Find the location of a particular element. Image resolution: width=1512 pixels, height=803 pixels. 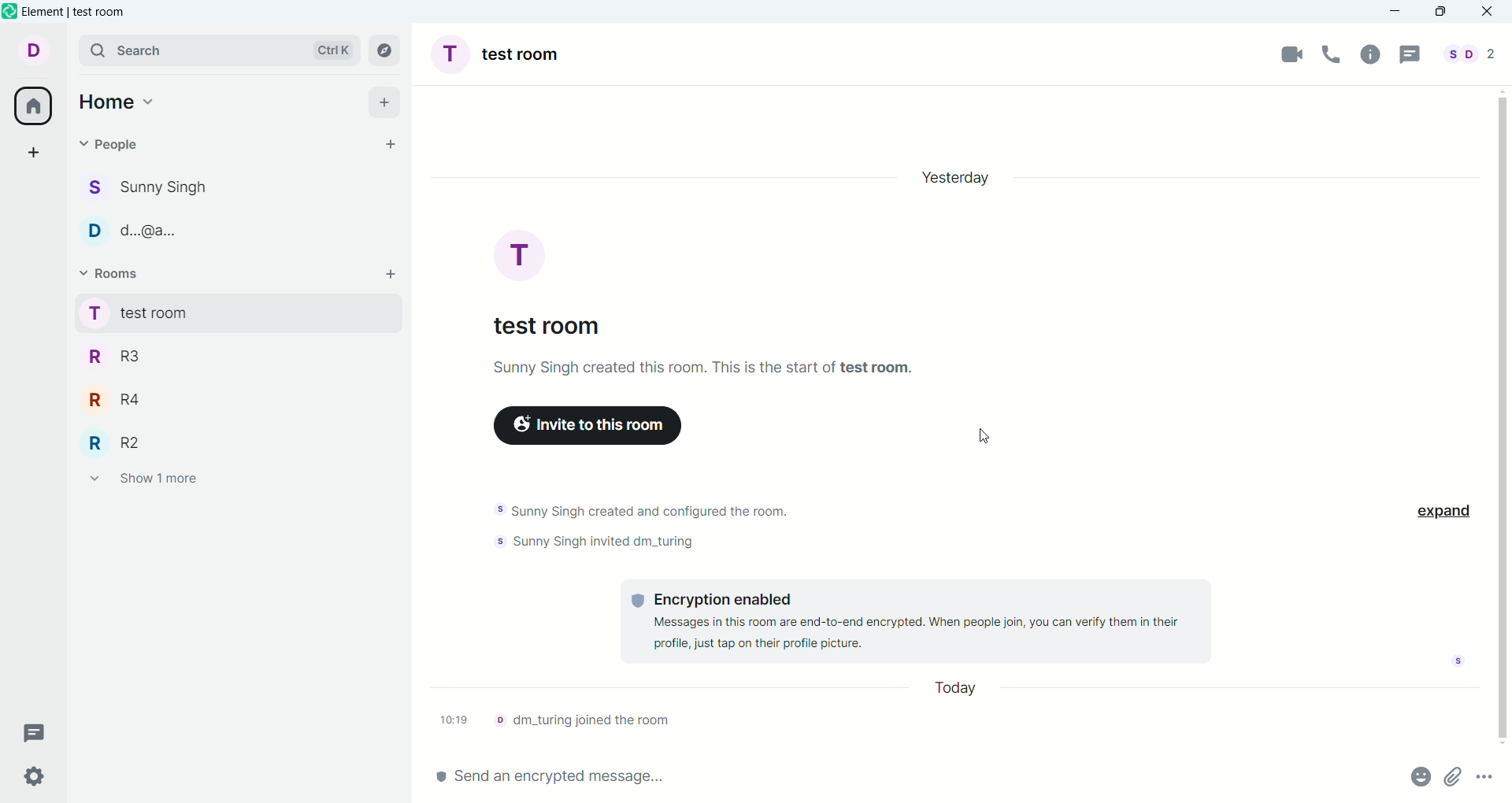

test room display picture is located at coordinates (521, 257).